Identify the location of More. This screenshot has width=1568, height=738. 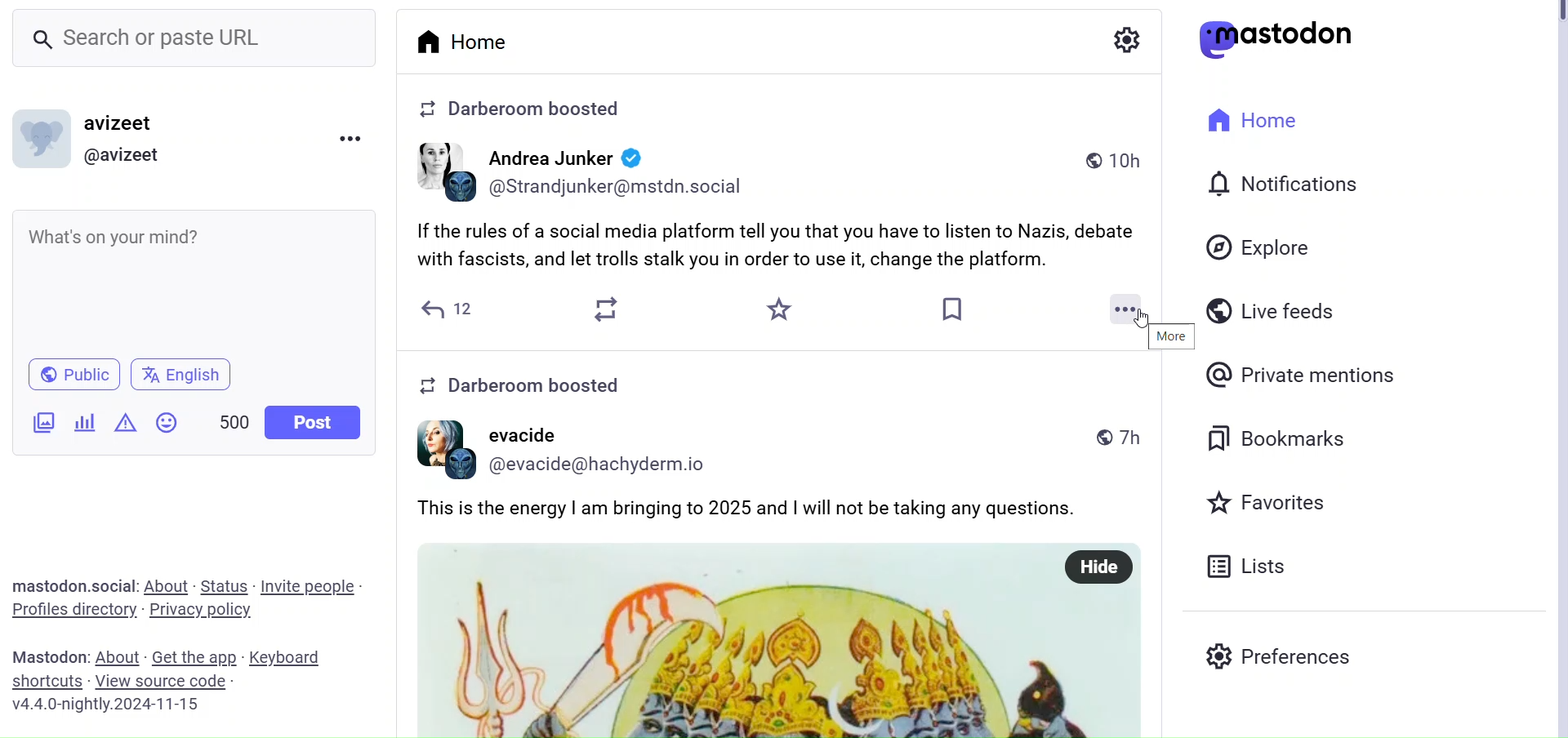
(1127, 306).